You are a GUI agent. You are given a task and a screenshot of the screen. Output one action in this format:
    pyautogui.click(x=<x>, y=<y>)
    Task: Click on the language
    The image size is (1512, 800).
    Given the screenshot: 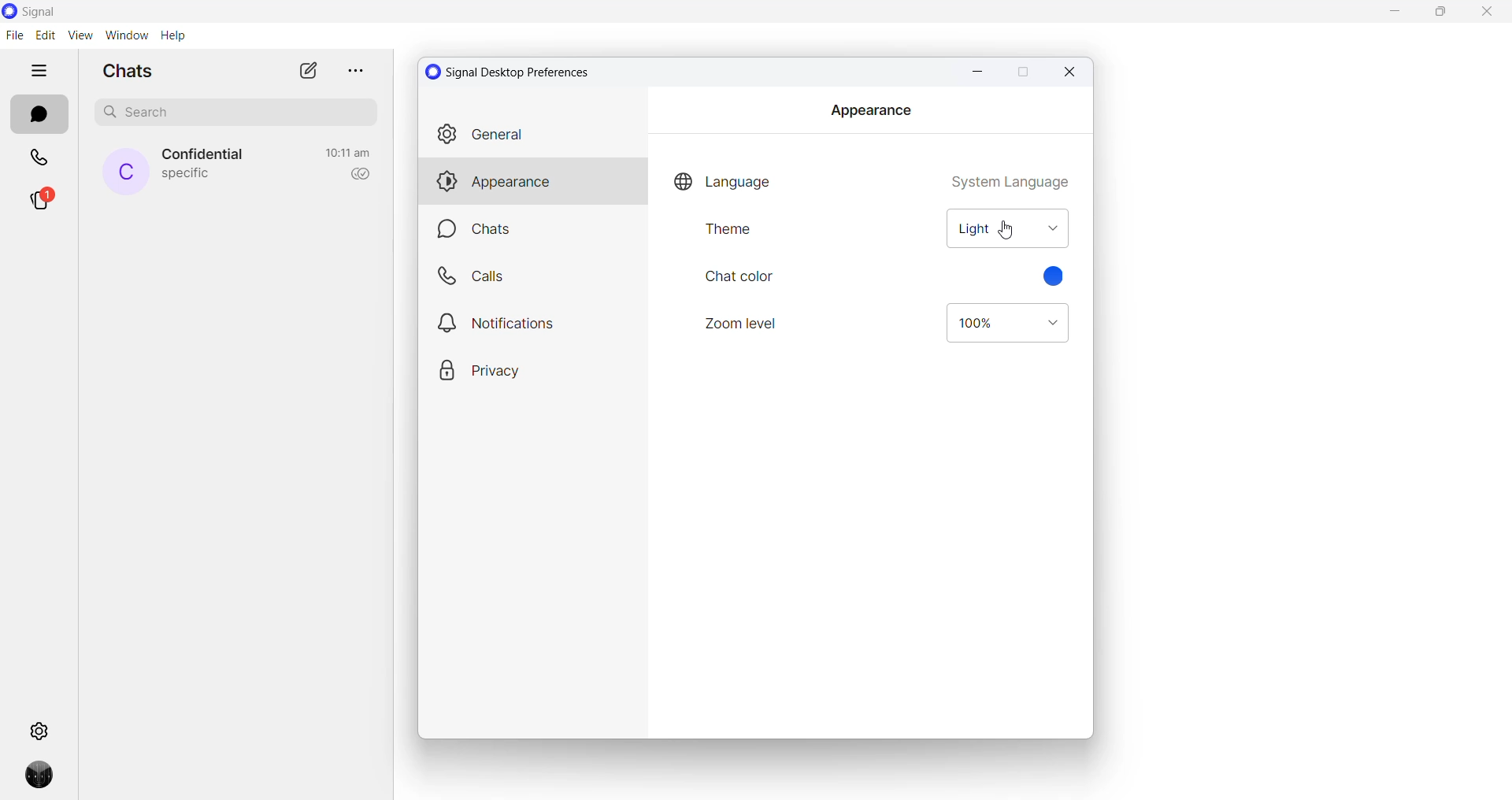 What is the action you would take?
    pyautogui.click(x=724, y=178)
    